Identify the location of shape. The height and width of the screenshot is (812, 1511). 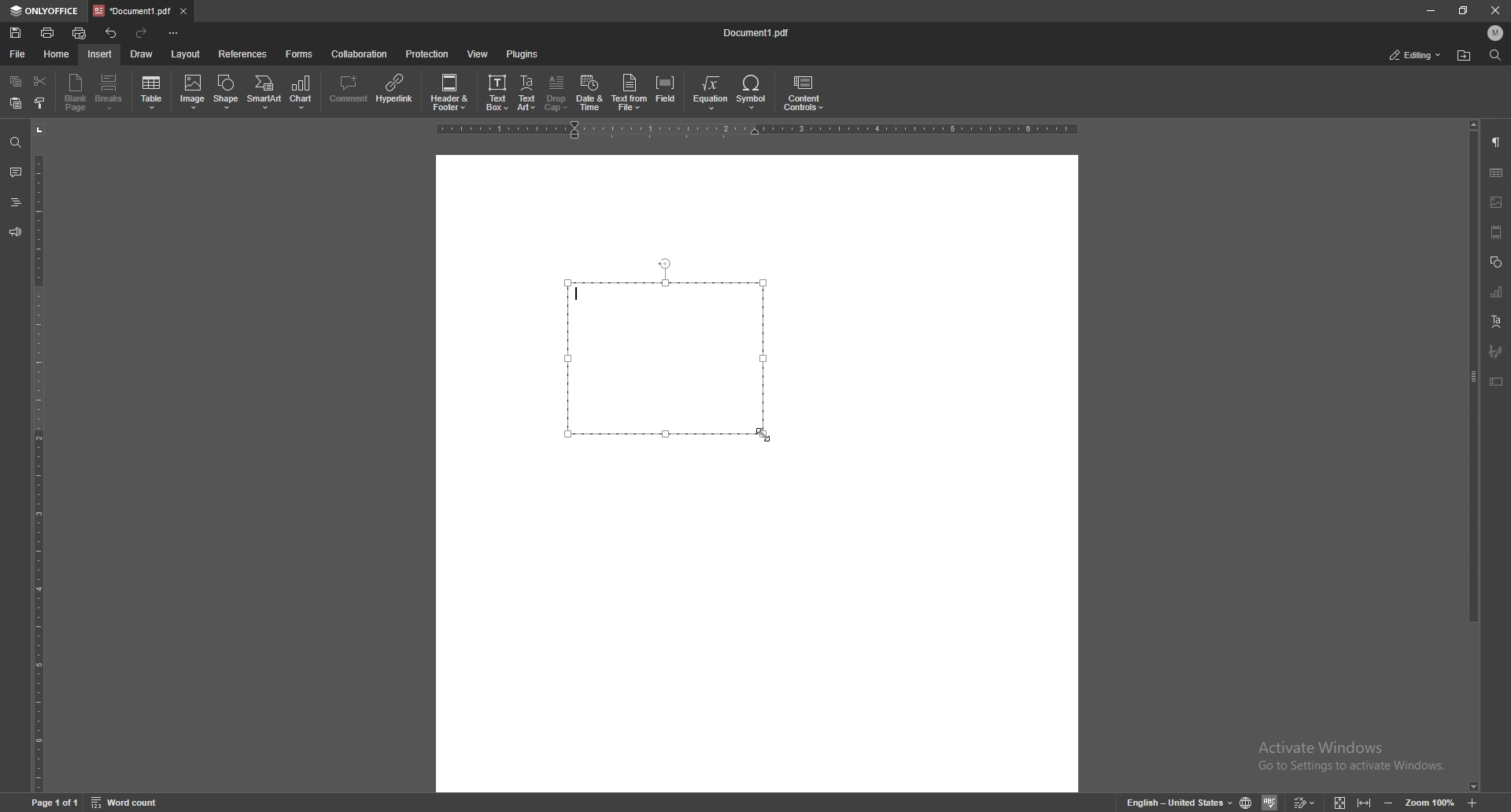
(227, 92).